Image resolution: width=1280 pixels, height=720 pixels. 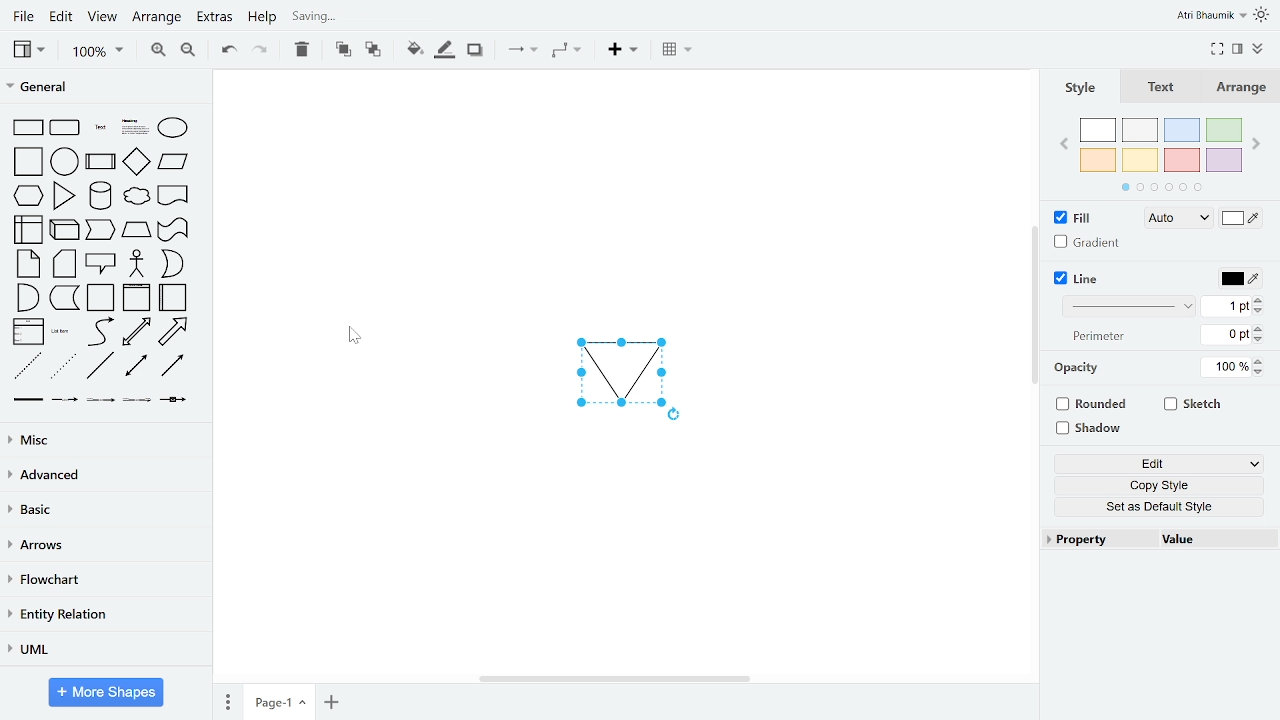 I want to click on dashed line, so click(x=27, y=367).